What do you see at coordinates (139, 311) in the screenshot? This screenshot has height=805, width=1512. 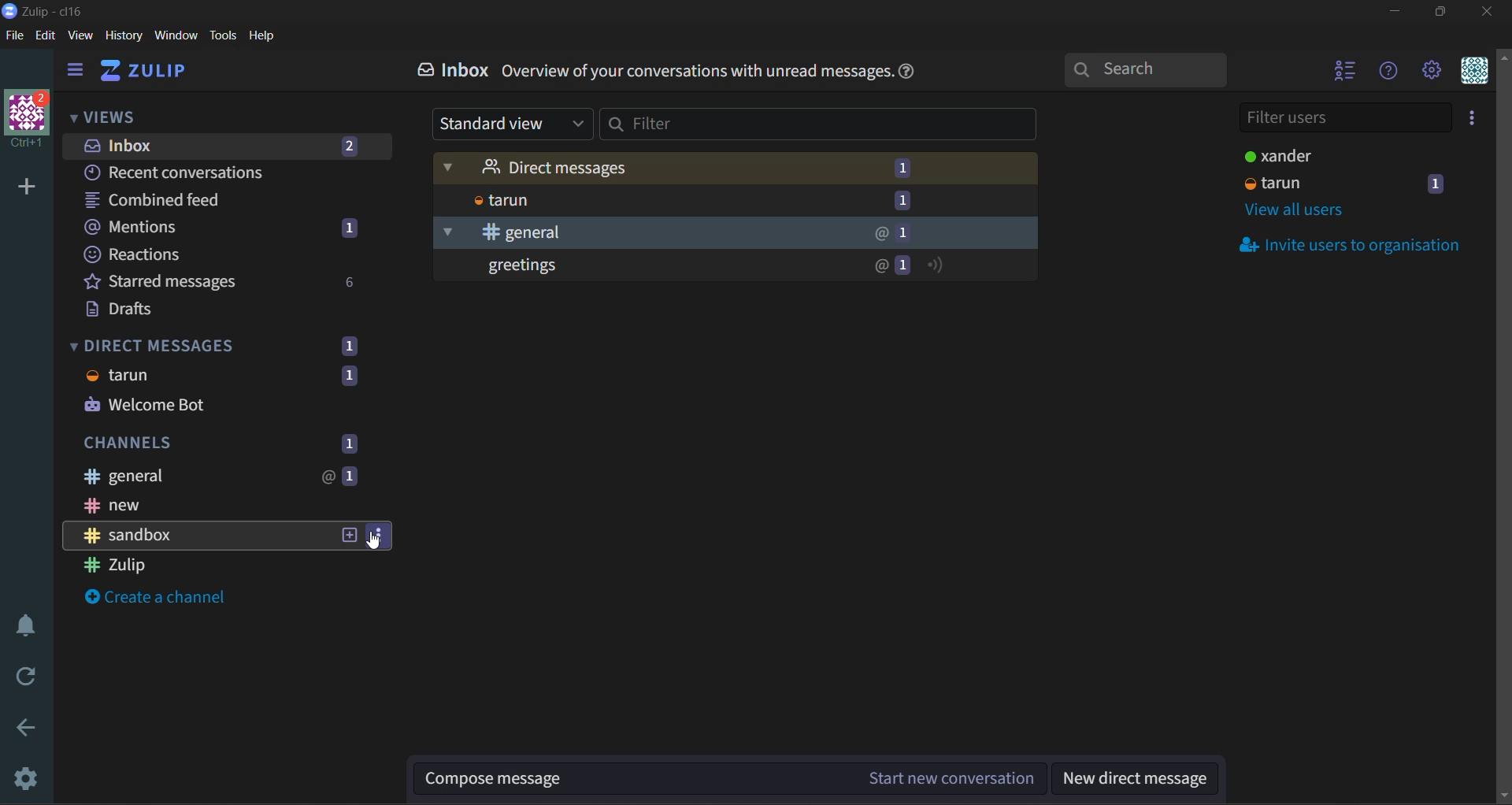 I see `drafts` at bounding box center [139, 311].